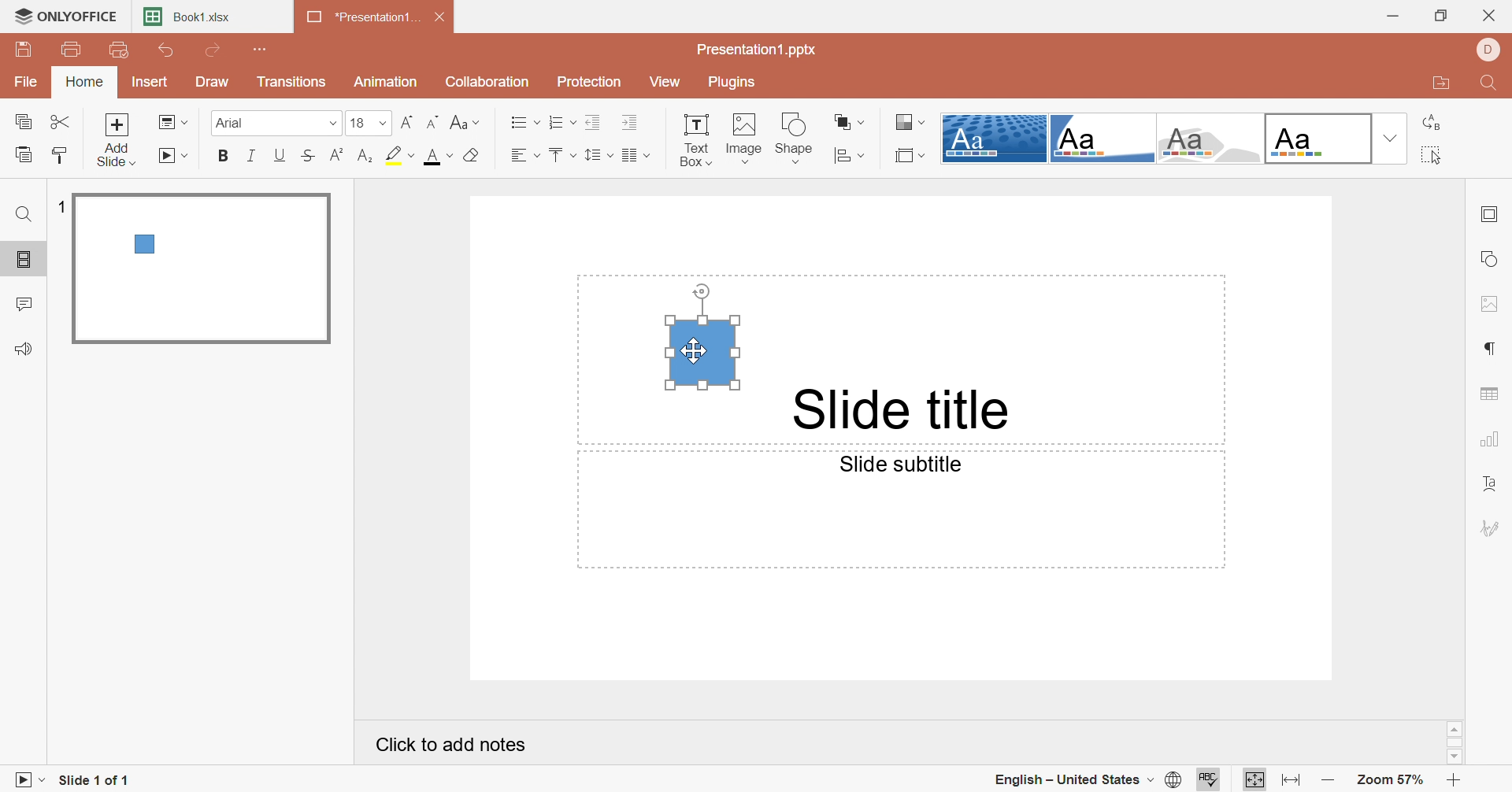 This screenshot has width=1512, height=792. I want to click on Table settings, so click(1492, 397).